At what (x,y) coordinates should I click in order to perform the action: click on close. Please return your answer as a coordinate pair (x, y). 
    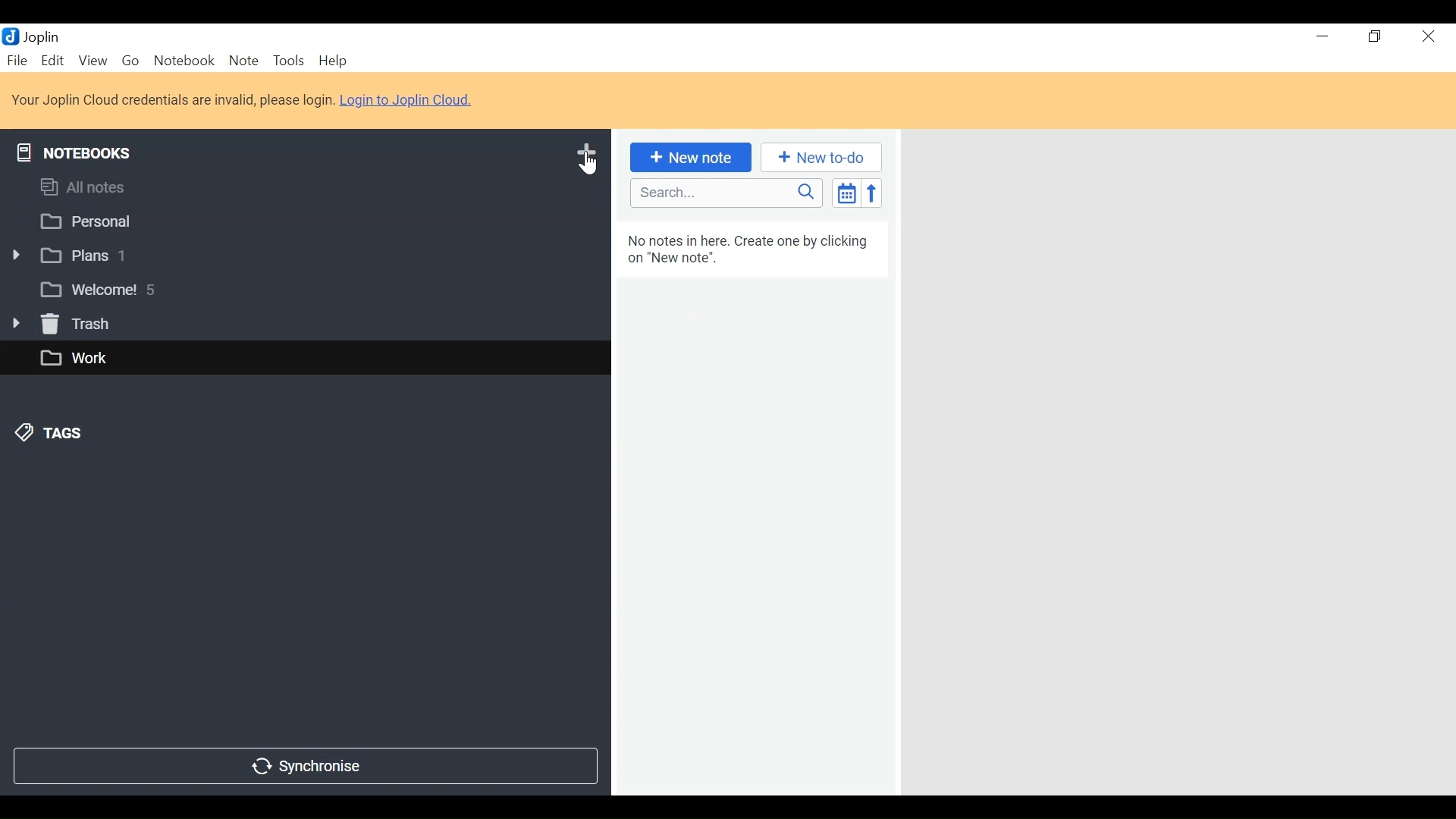
    Looking at the image, I should click on (1428, 37).